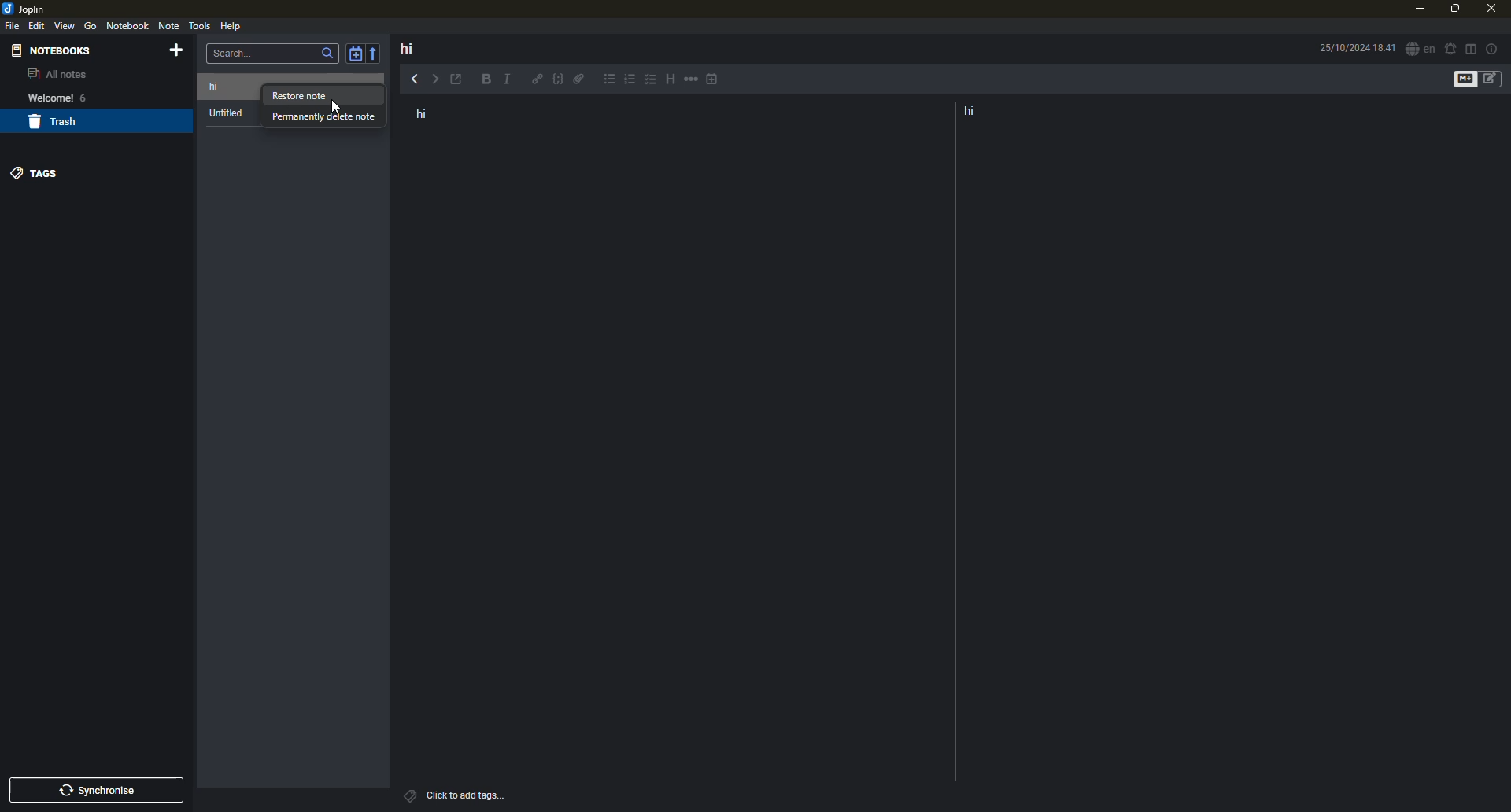 Image resolution: width=1511 pixels, height=812 pixels. What do you see at coordinates (649, 80) in the screenshot?
I see `checkbox` at bounding box center [649, 80].